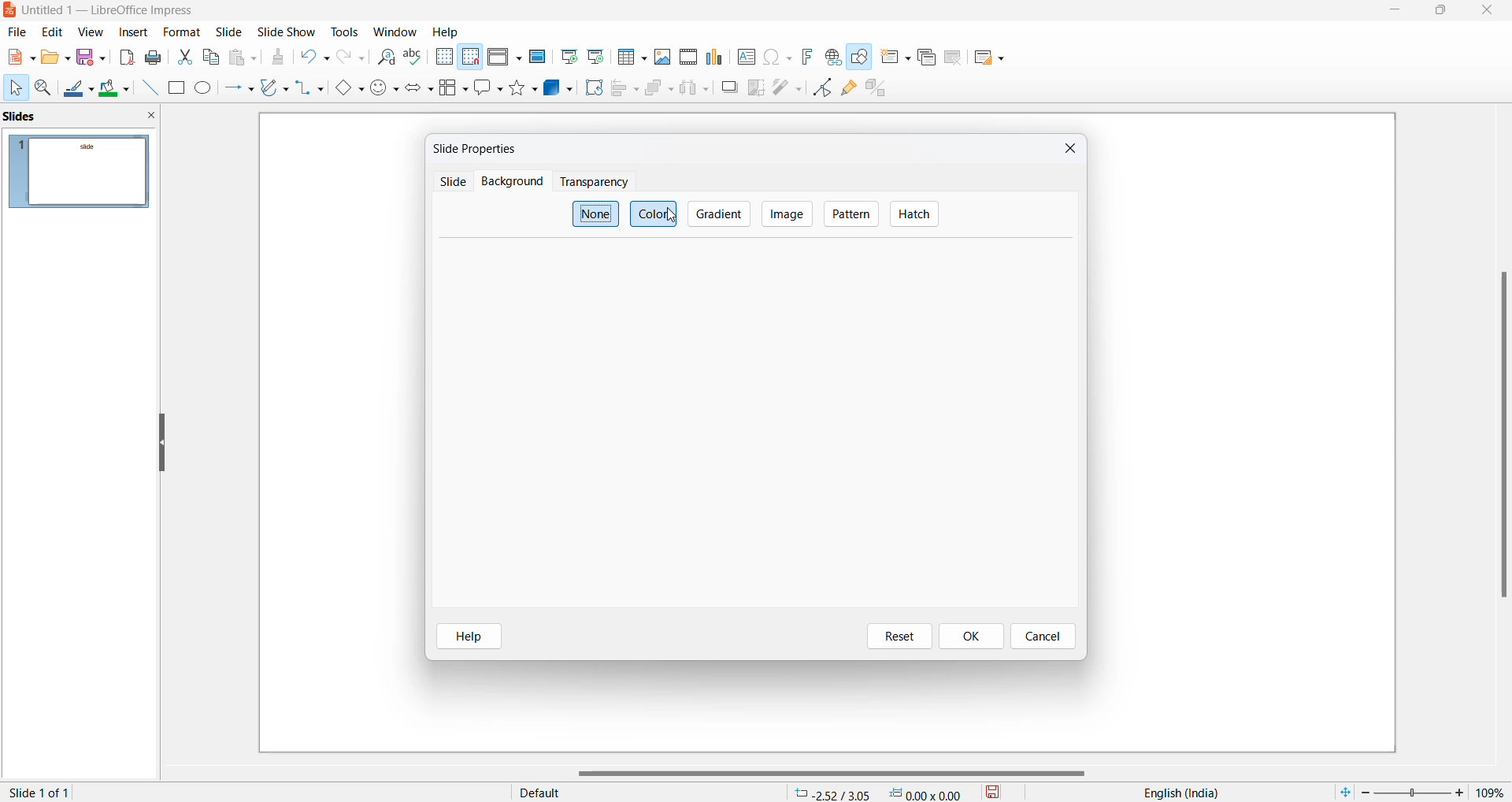 This screenshot has width=1512, height=802. What do you see at coordinates (43, 793) in the screenshot?
I see `current slide and slide number` at bounding box center [43, 793].